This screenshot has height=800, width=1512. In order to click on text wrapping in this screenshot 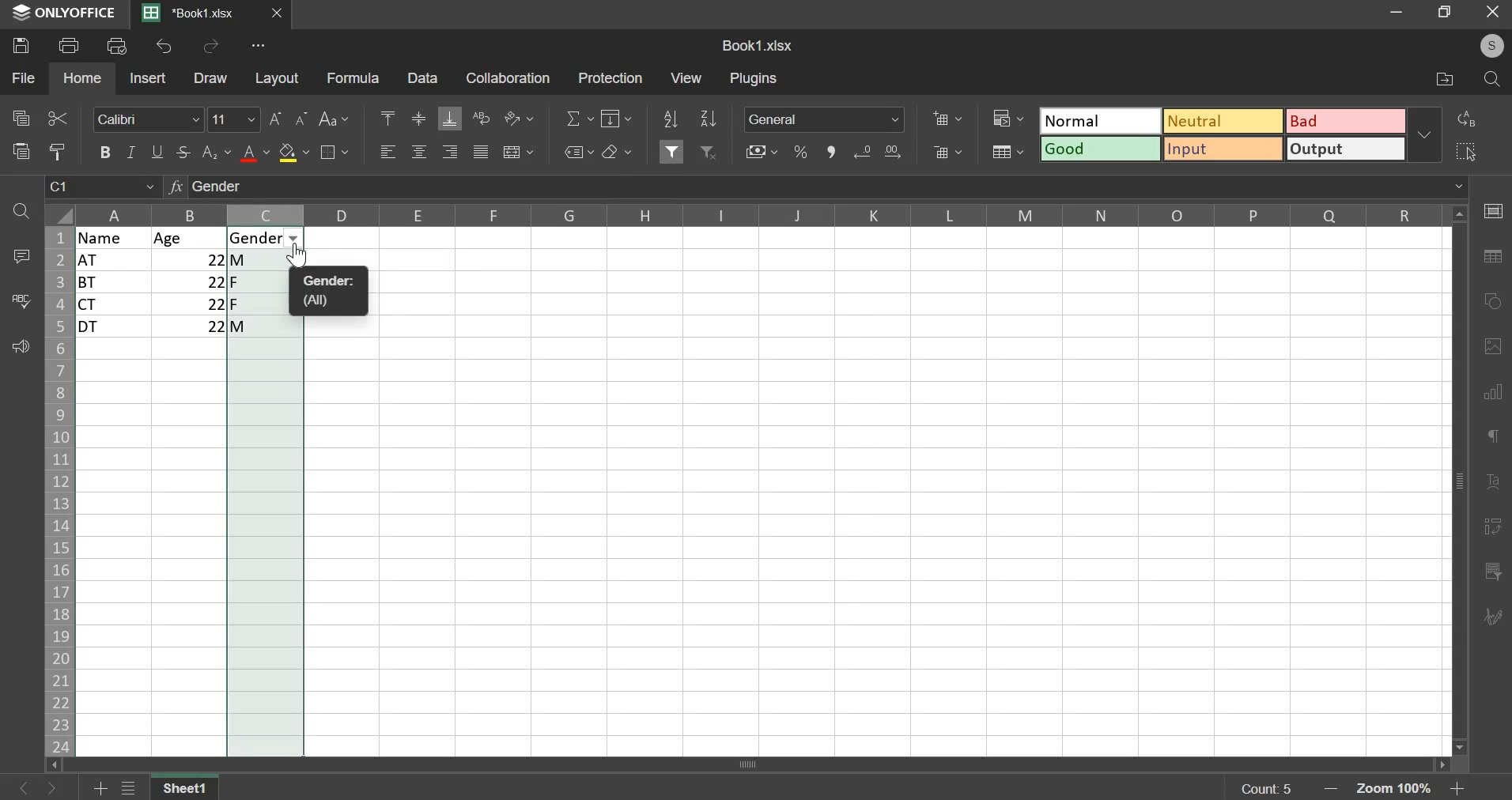, I will do `click(481, 117)`.